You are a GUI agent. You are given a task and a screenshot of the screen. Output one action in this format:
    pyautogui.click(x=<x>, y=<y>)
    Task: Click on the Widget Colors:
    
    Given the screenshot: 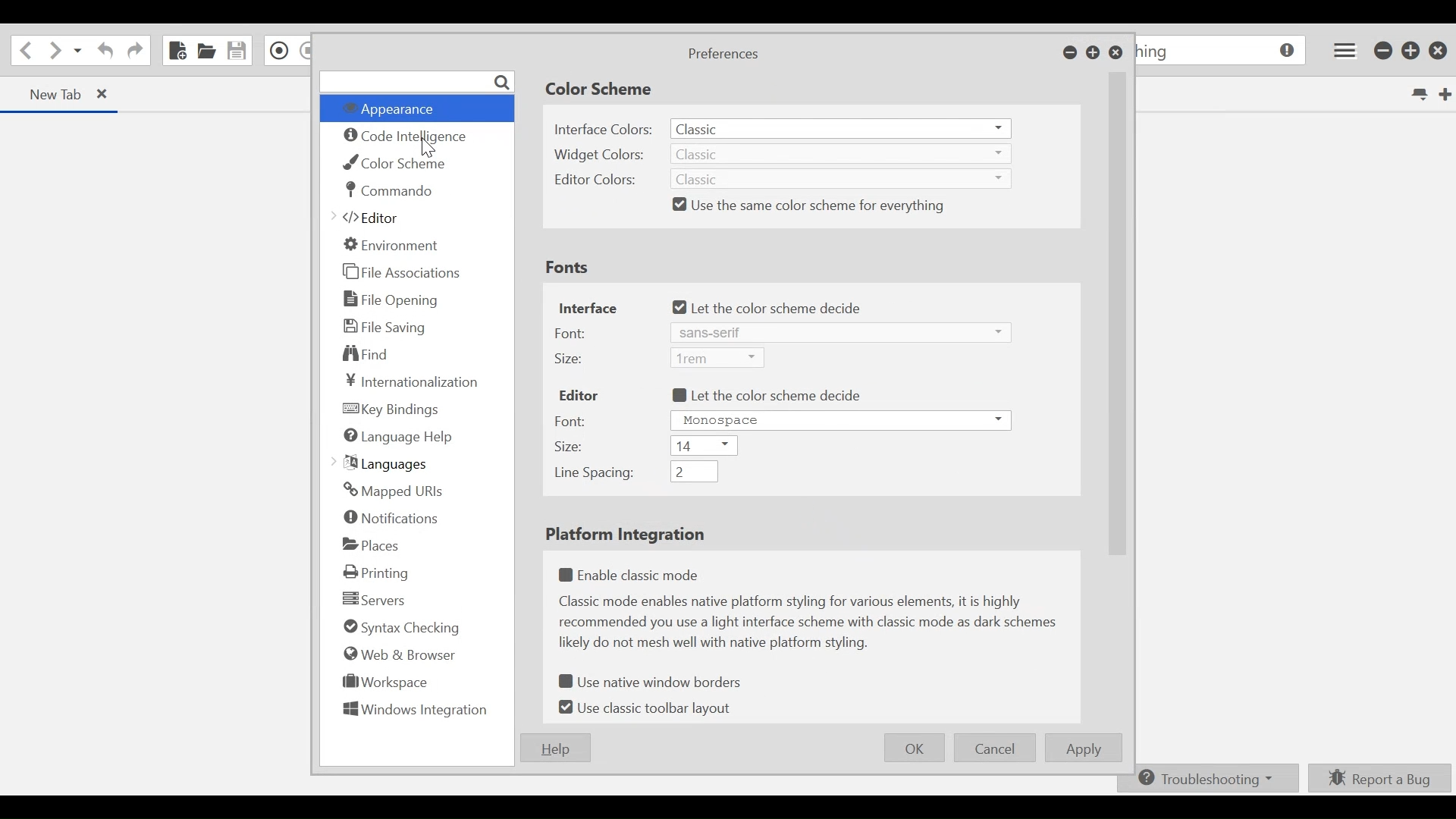 What is the action you would take?
    pyautogui.click(x=601, y=154)
    